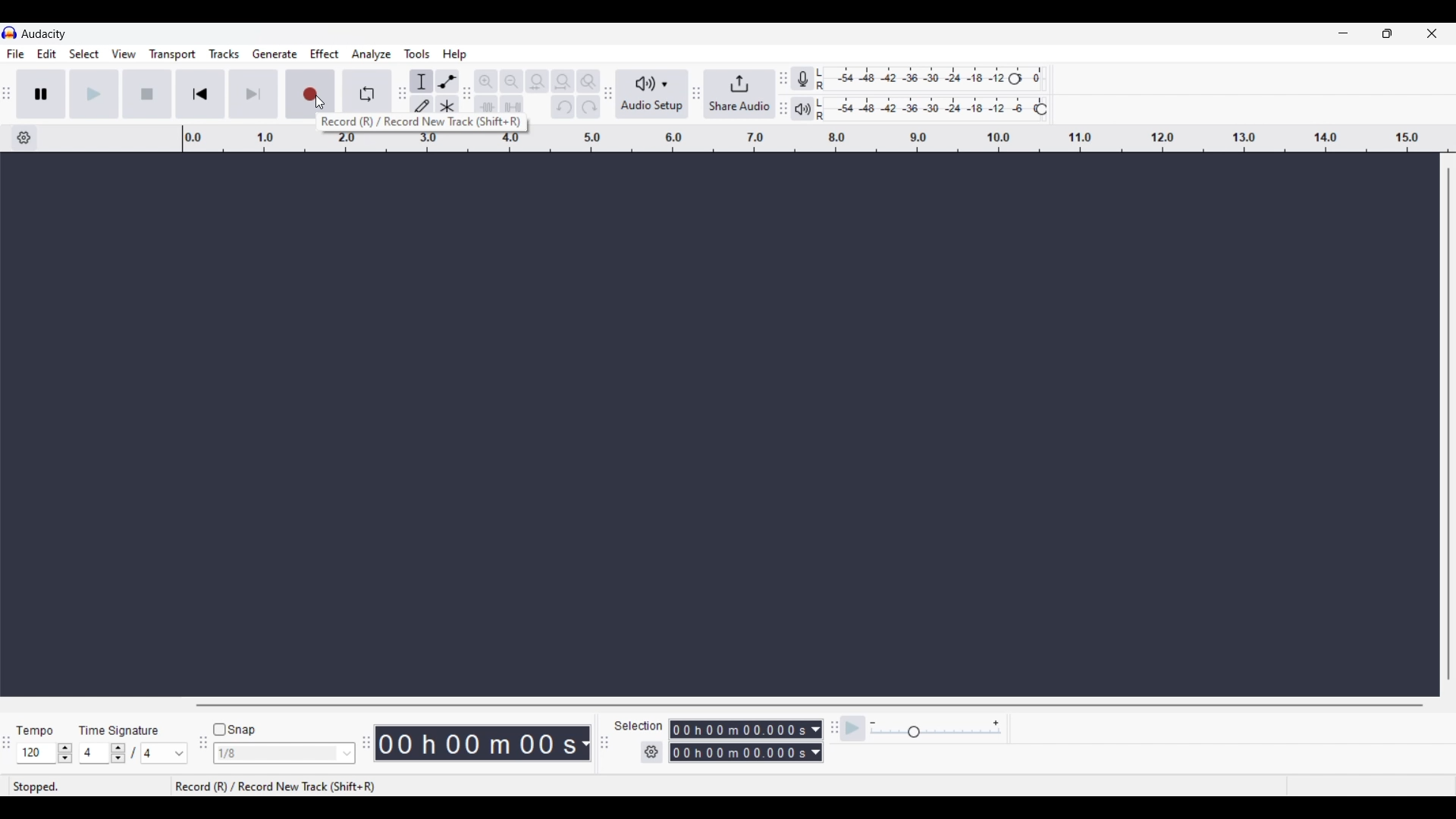 The height and width of the screenshot is (819, 1456). What do you see at coordinates (511, 81) in the screenshot?
I see `Zoom out` at bounding box center [511, 81].